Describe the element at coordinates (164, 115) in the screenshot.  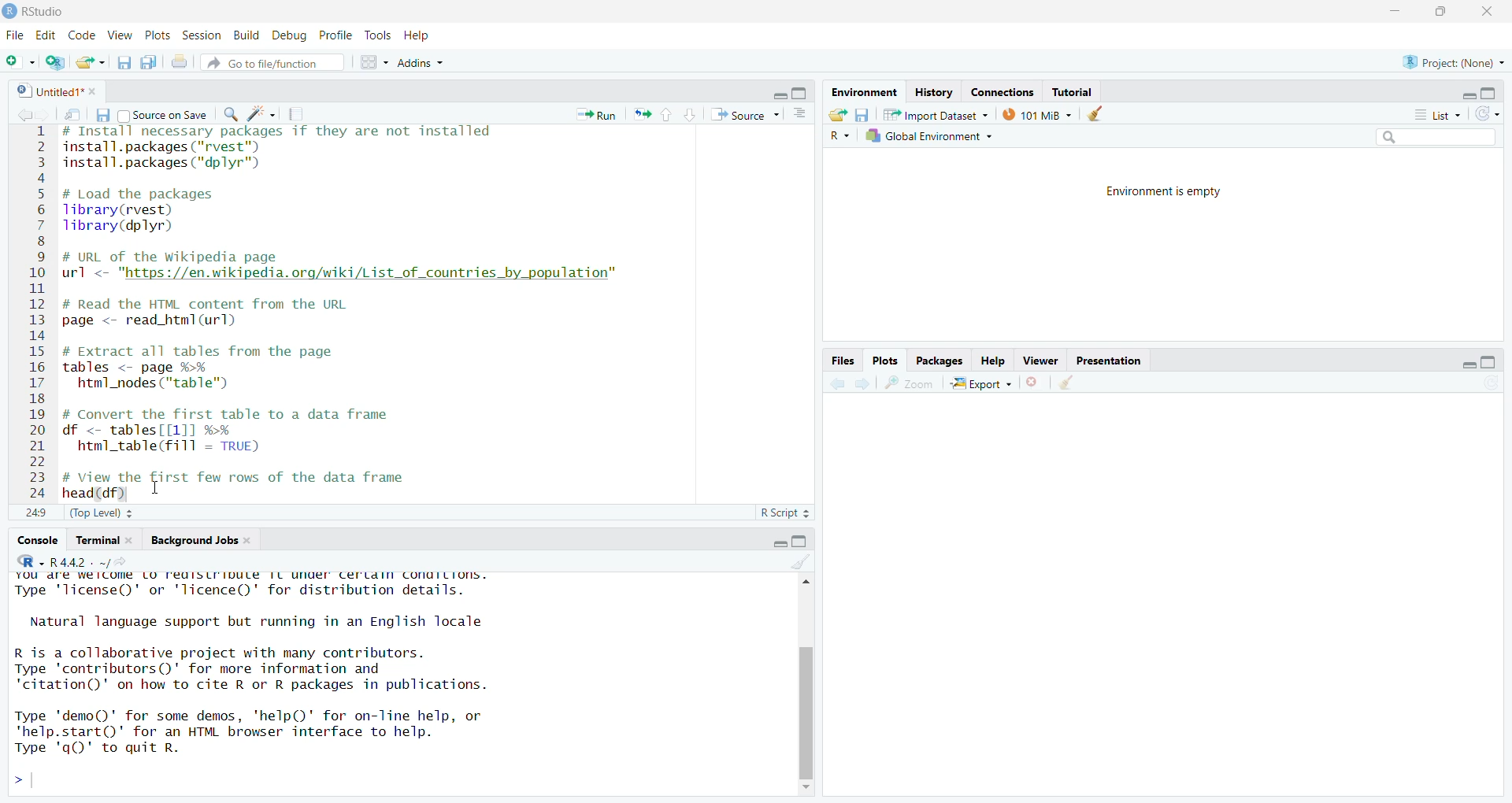
I see `Source on save` at that location.